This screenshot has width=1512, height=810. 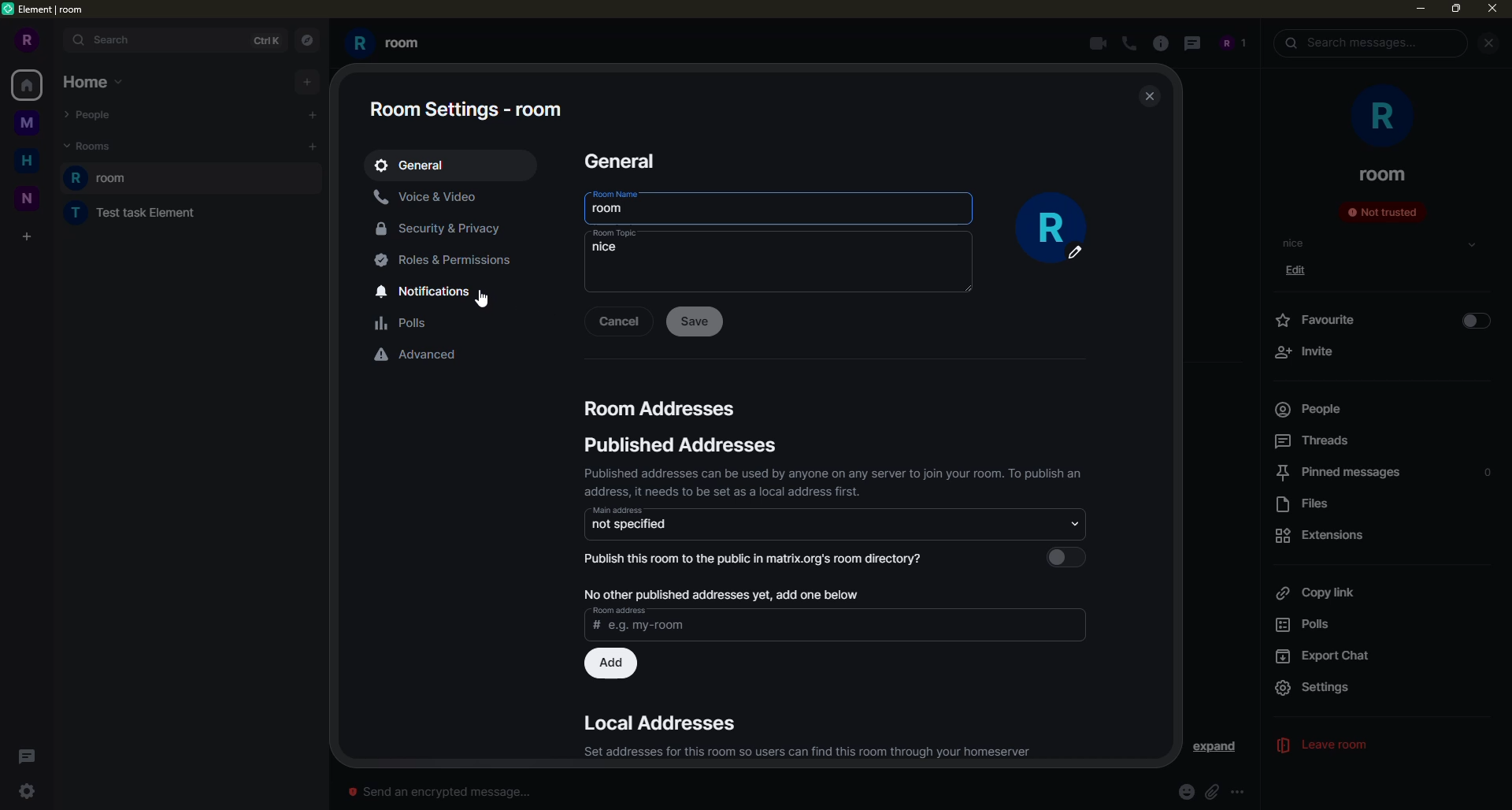 What do you see at coordinates (1476, 321) in the screenshot?
I see `enable` at bounding box center [1476, 321].